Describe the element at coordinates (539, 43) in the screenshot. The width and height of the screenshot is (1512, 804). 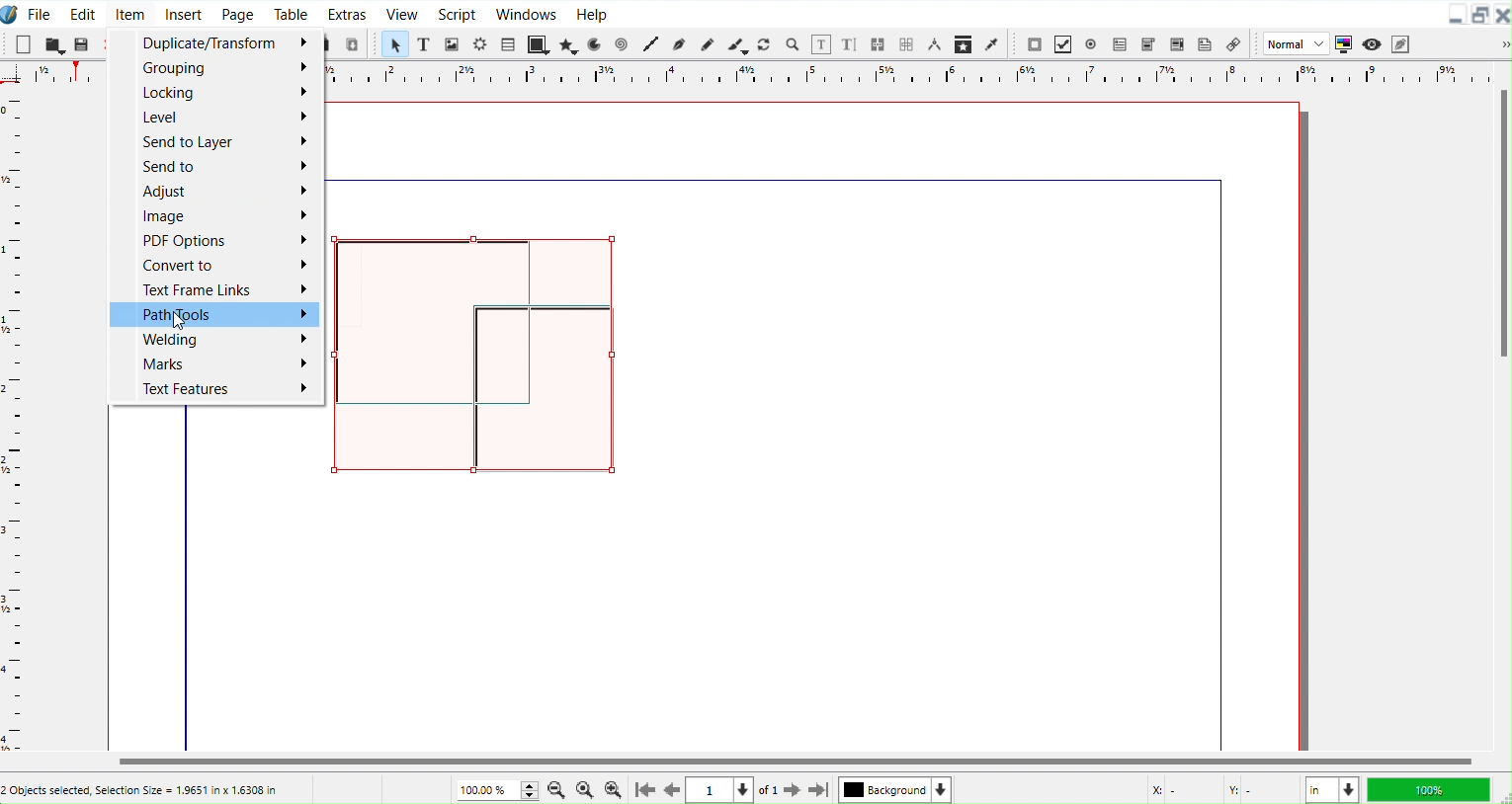
I see `Shape ` at that location.